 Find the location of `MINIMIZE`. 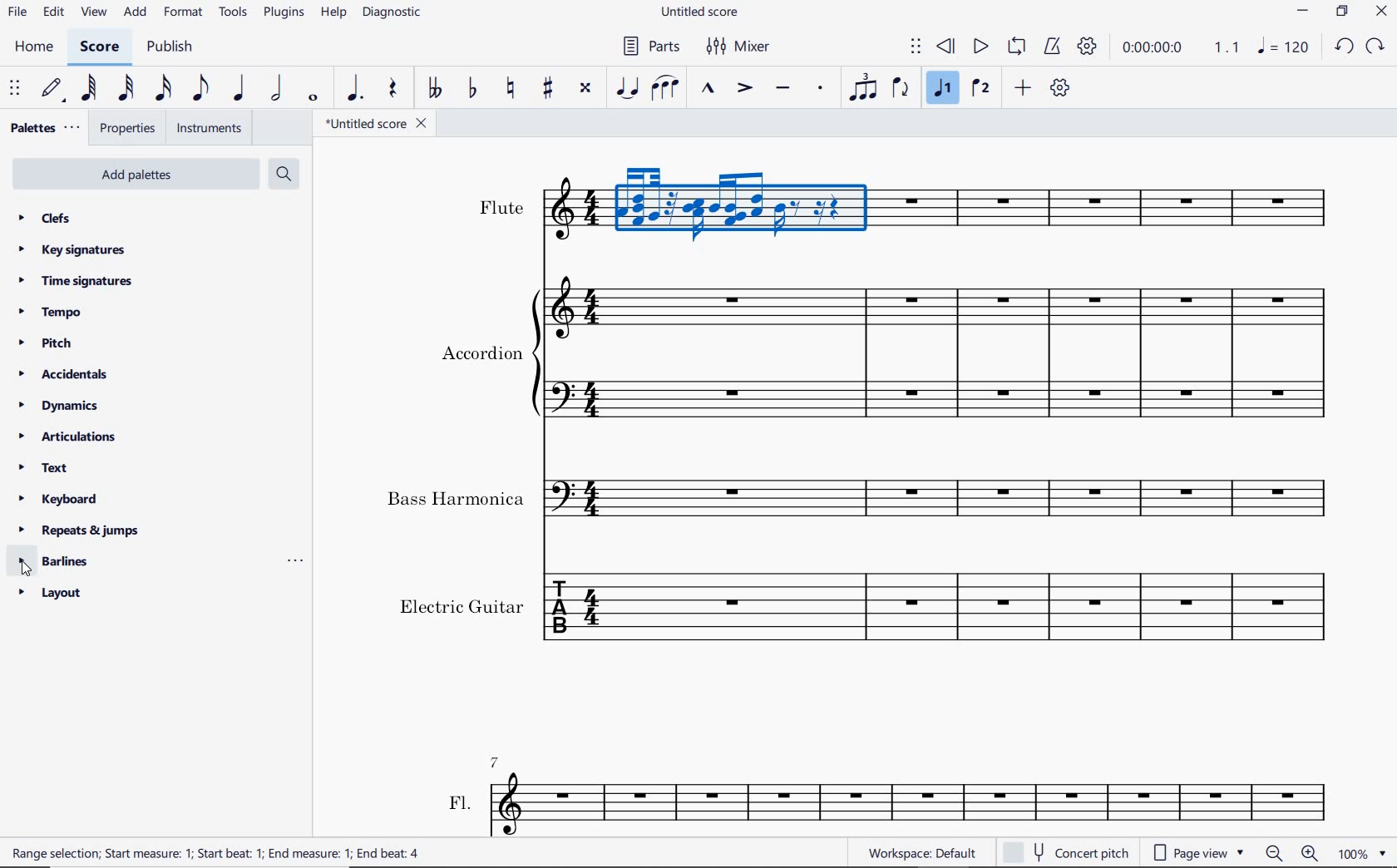

MINIMIZE is located at coordinates (1303, 10).